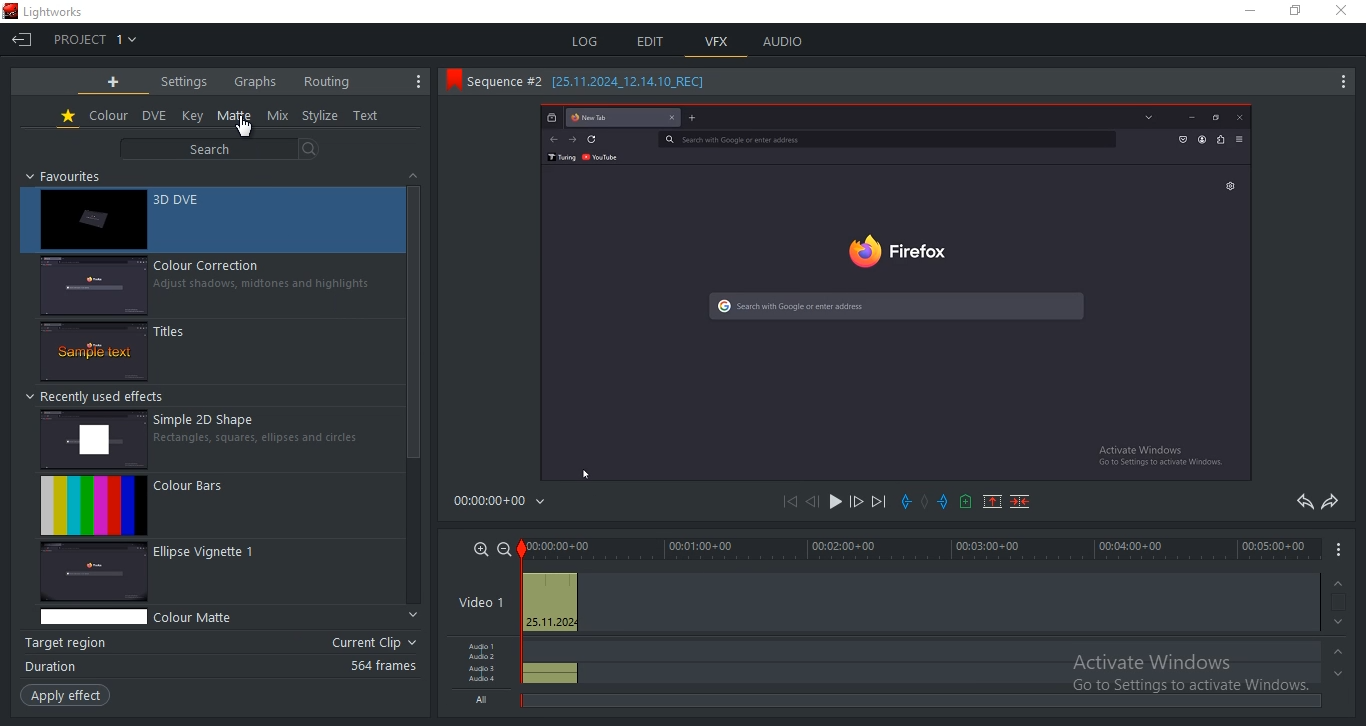  What do you see at coordinates (320, 116) in the screenshot?
I see `stylize` at bounding box center [320, 116].